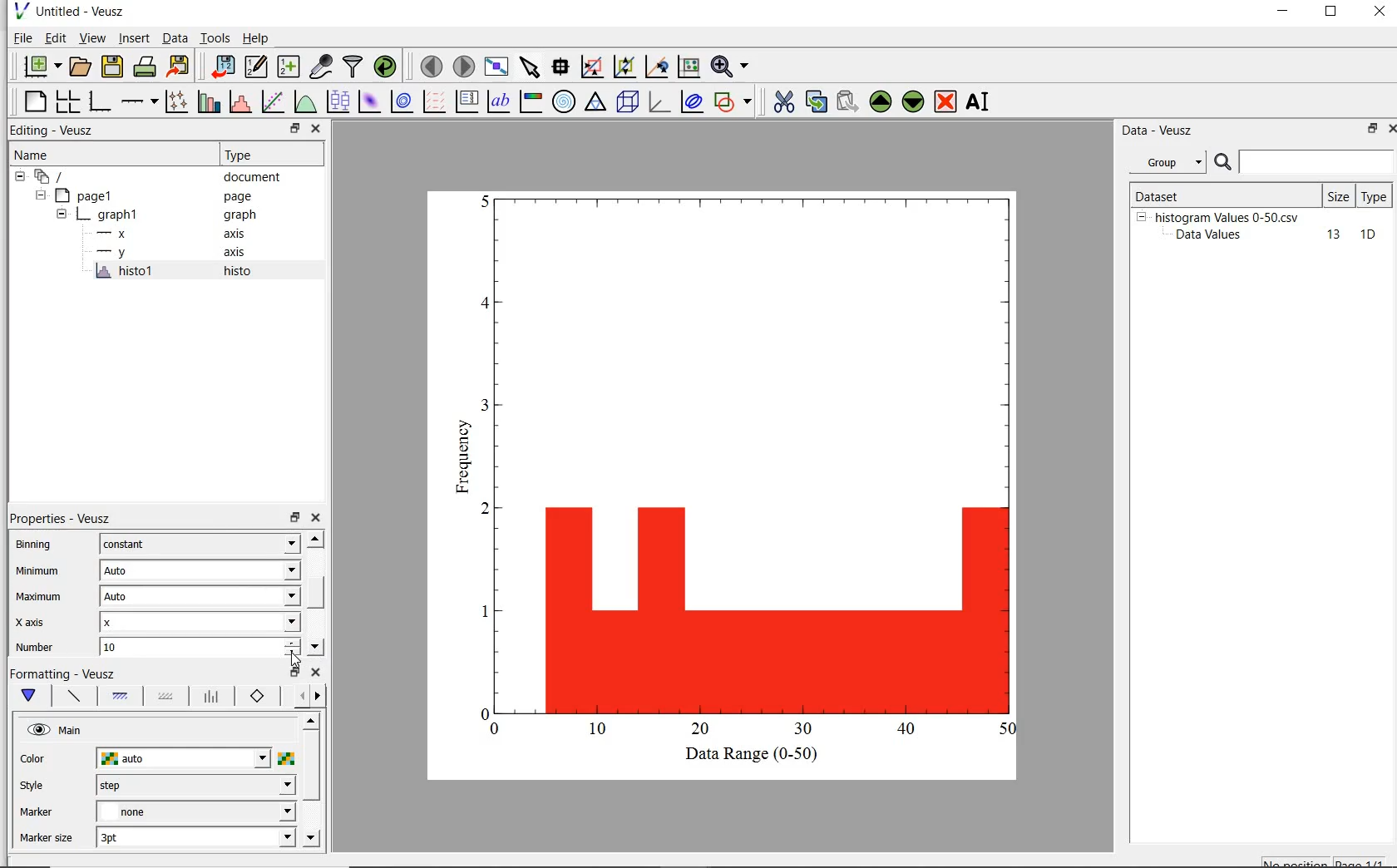  What do you see at coordinates (369, 101) in the screenshot?
I see `plot 2d dataset as an image` at bounding box center [369, 101].